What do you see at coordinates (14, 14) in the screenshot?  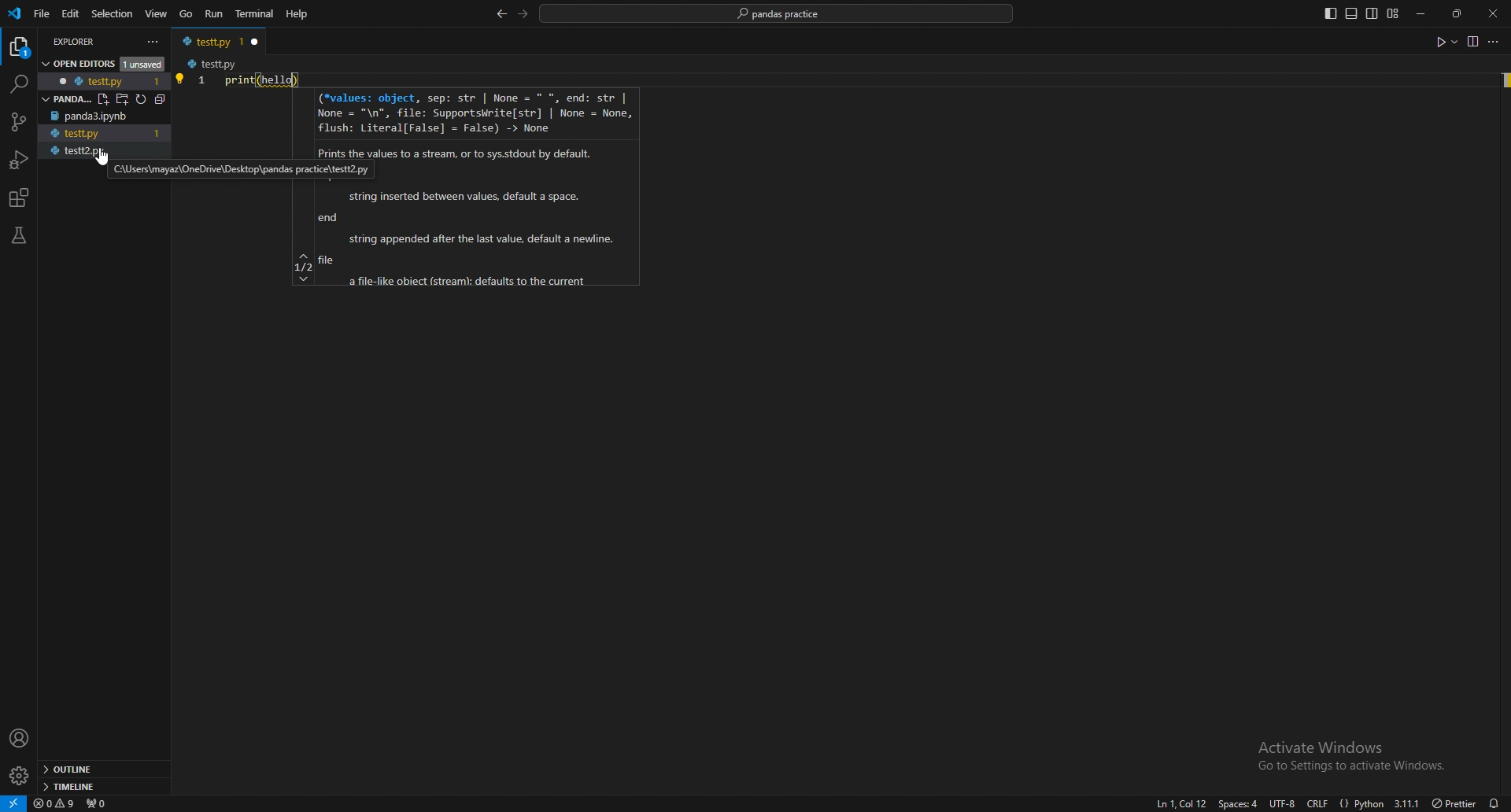 I see `vscode logo` at bounding box center [14, 14].